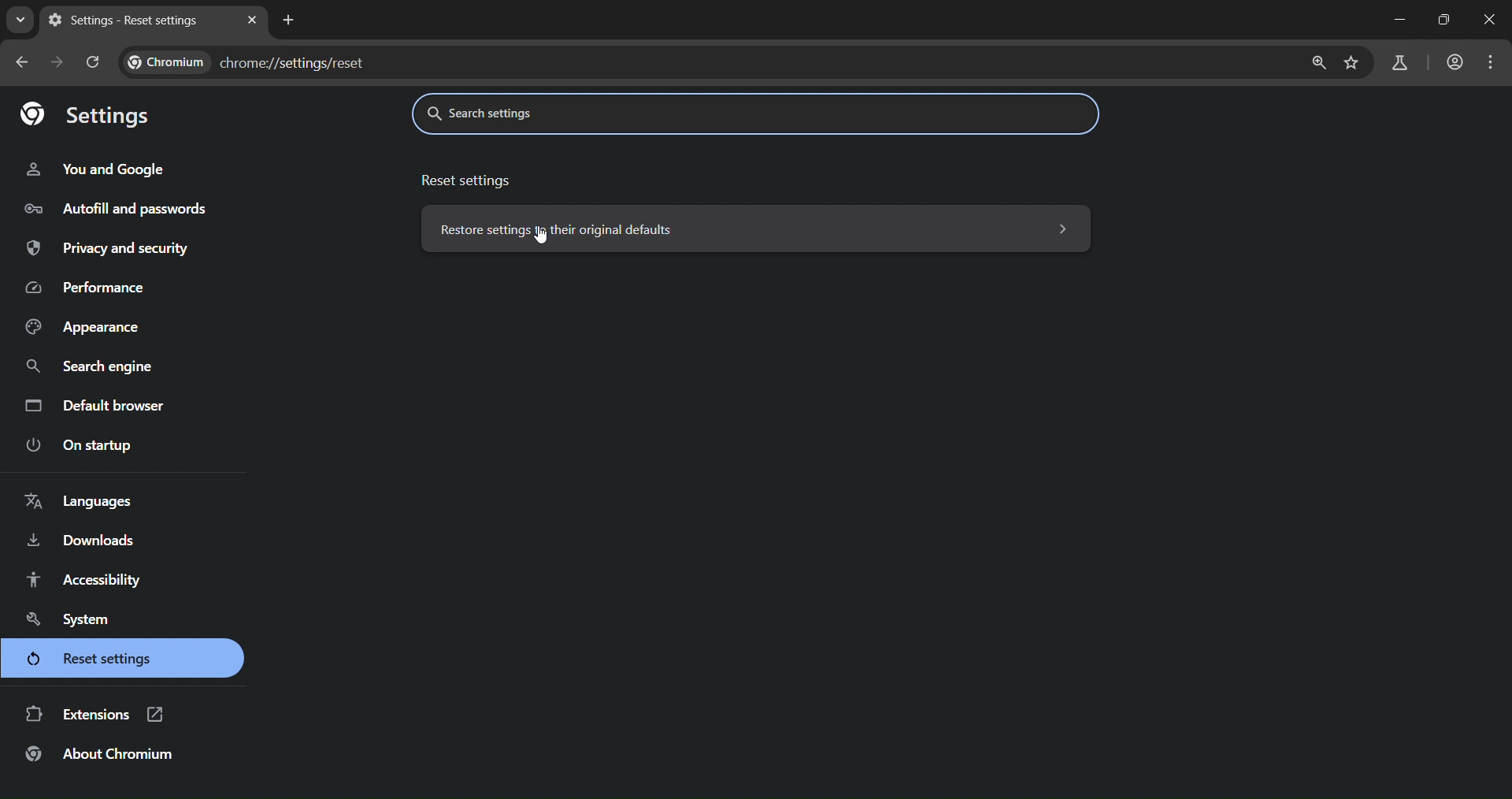 The image size is (1512, 799). What do you see at coordinates (85, 444) in the screenshot?
I see `on startup` at bounding box center [85, 444].